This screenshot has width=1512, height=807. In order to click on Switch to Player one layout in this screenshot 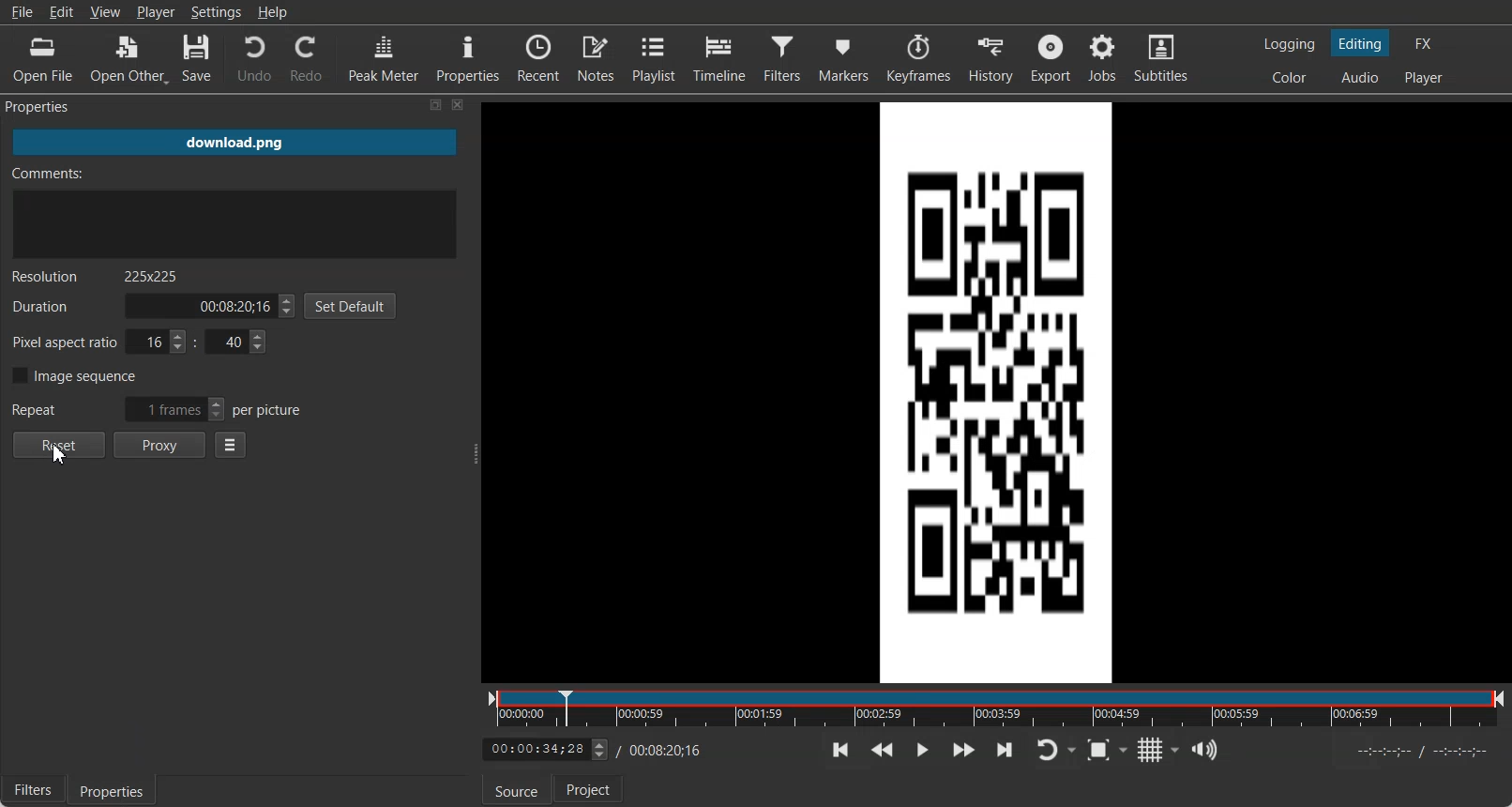, I will do `click(1426, 77)`.